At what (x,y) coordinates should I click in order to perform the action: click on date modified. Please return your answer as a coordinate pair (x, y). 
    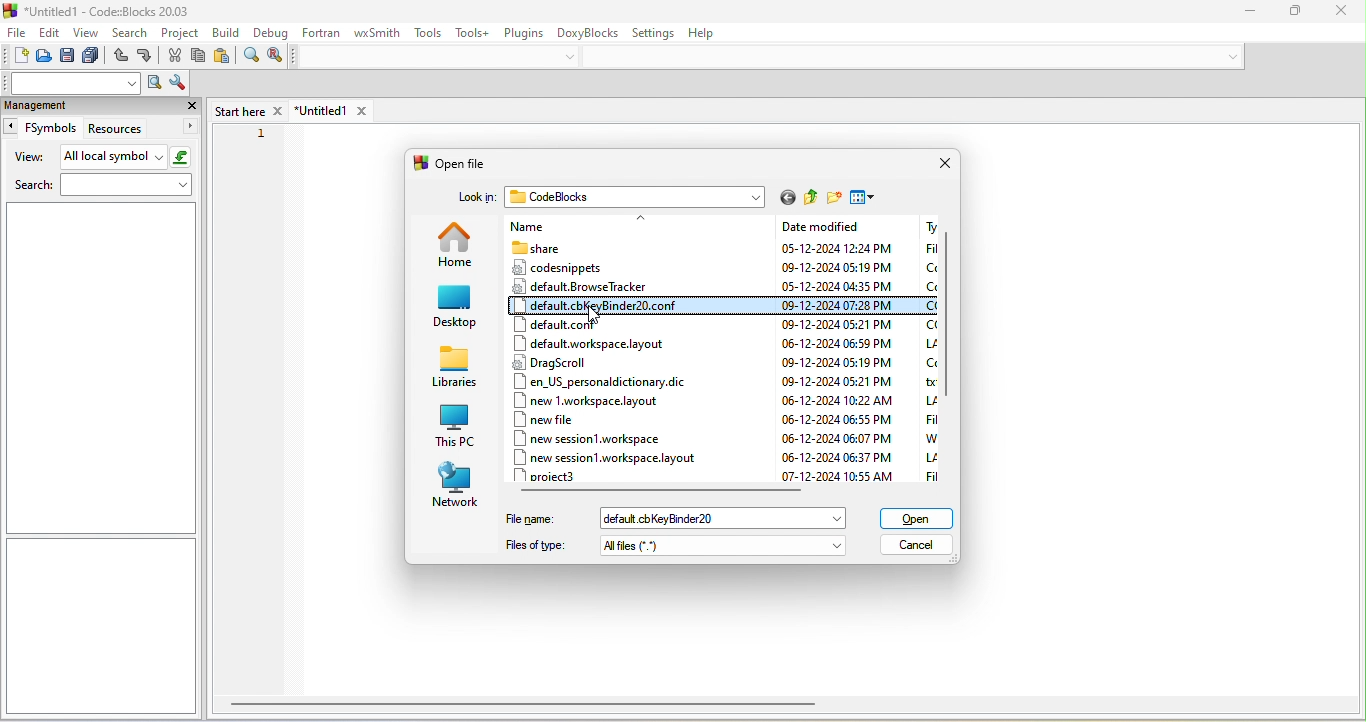
    Looking at the image, I should click on (844, 225).